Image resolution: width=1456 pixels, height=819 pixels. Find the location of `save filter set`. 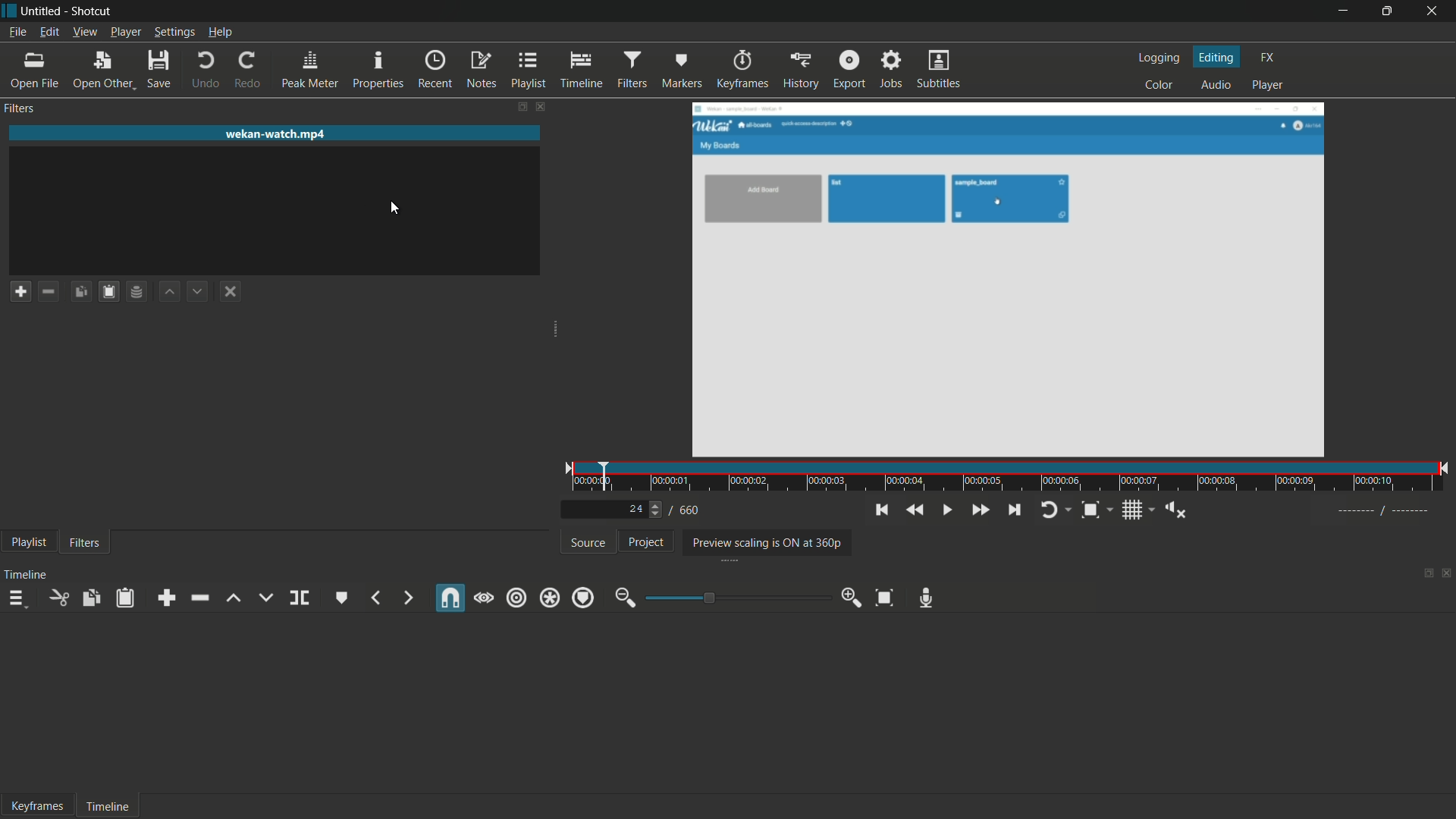

save filter set is located at coordinates (137, 293).